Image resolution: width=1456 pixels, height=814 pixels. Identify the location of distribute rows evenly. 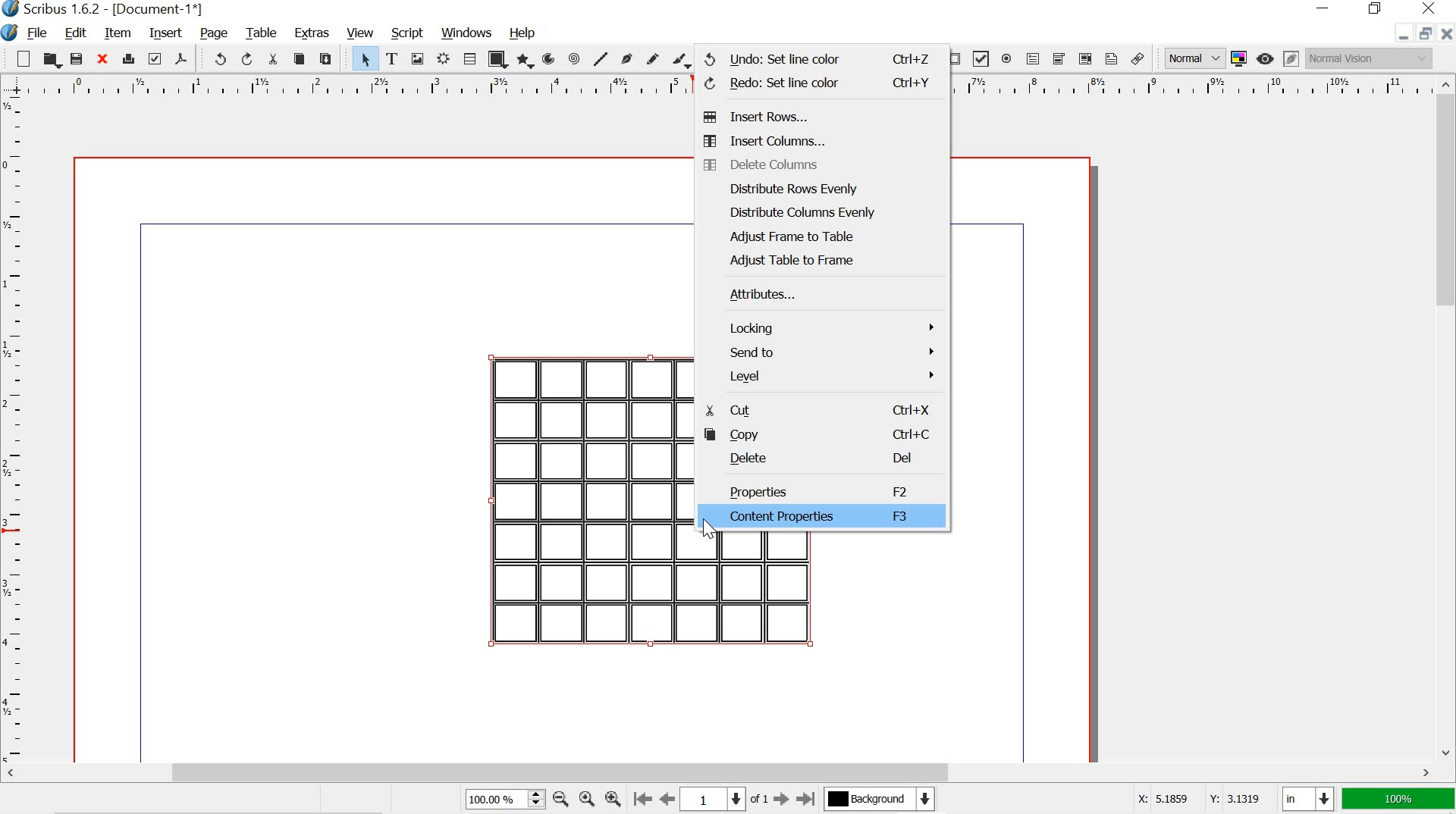
(821, 186).